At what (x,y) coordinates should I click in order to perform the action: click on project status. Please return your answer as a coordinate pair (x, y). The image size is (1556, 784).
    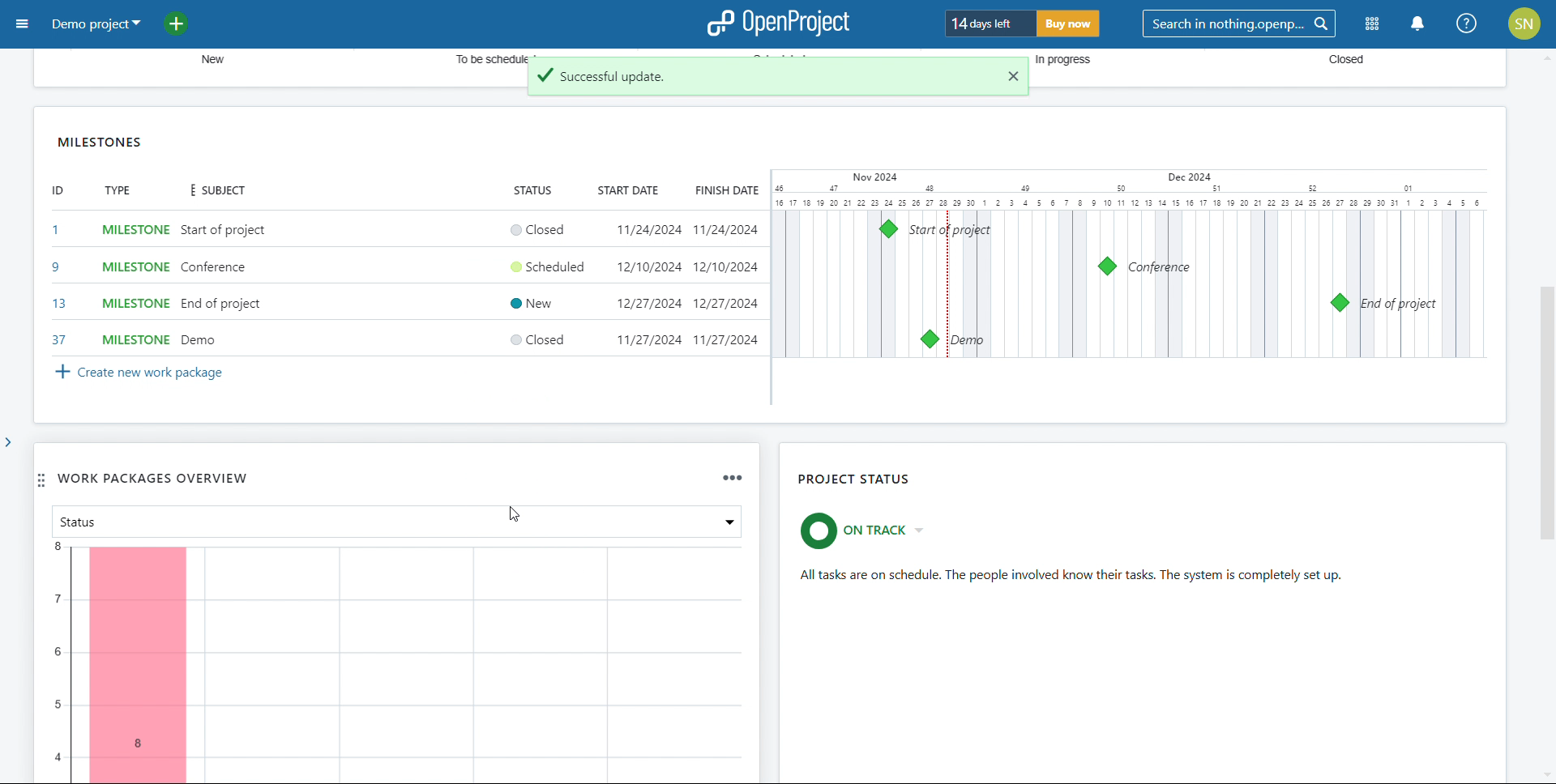
    Looking at the image, I should click on (855, 480).